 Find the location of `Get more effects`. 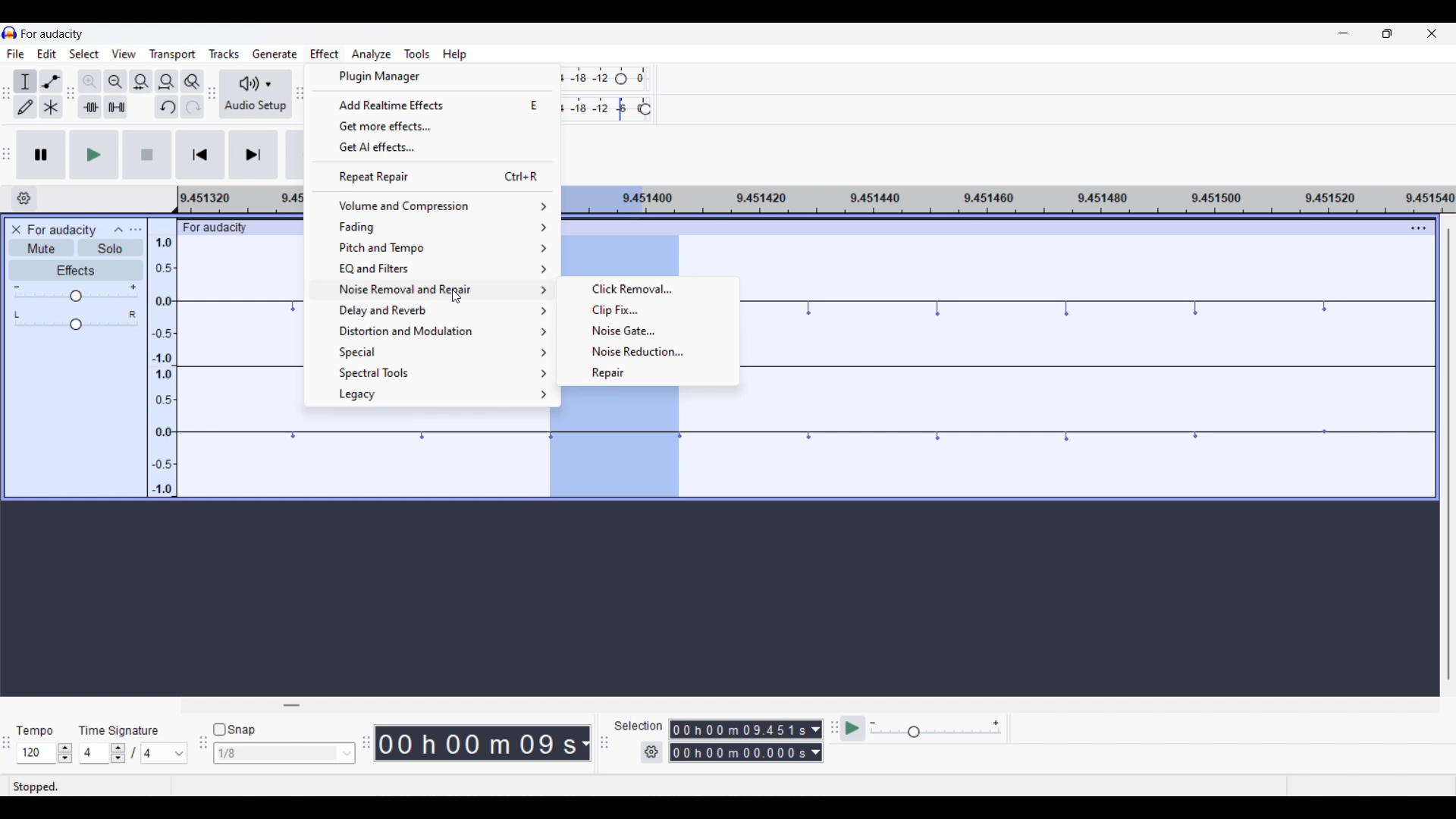

Get more effects is located at coordinates (434, 127).